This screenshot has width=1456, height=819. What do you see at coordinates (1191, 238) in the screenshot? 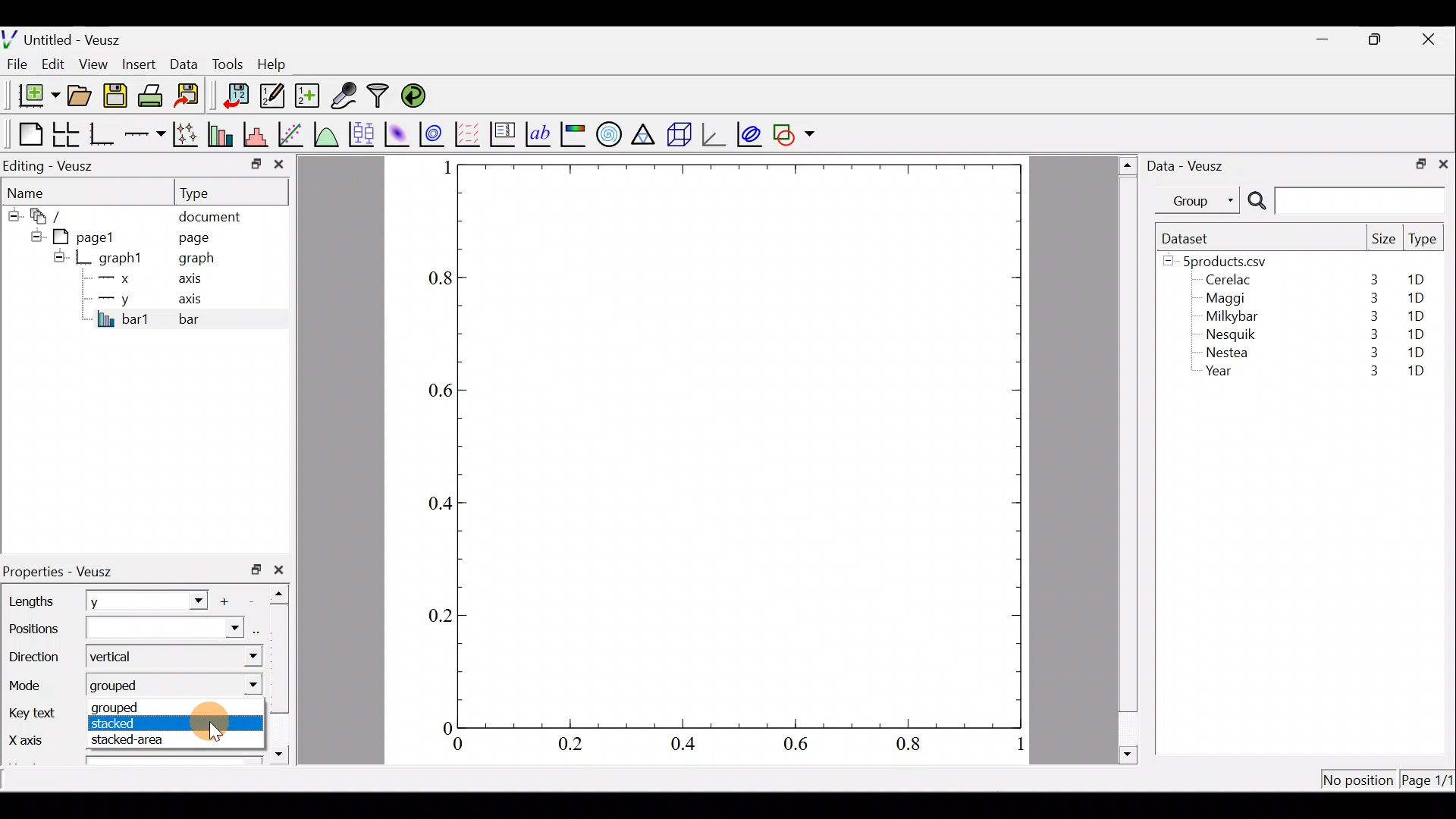
I see `Dataset` at bounding box center [1191, 238].